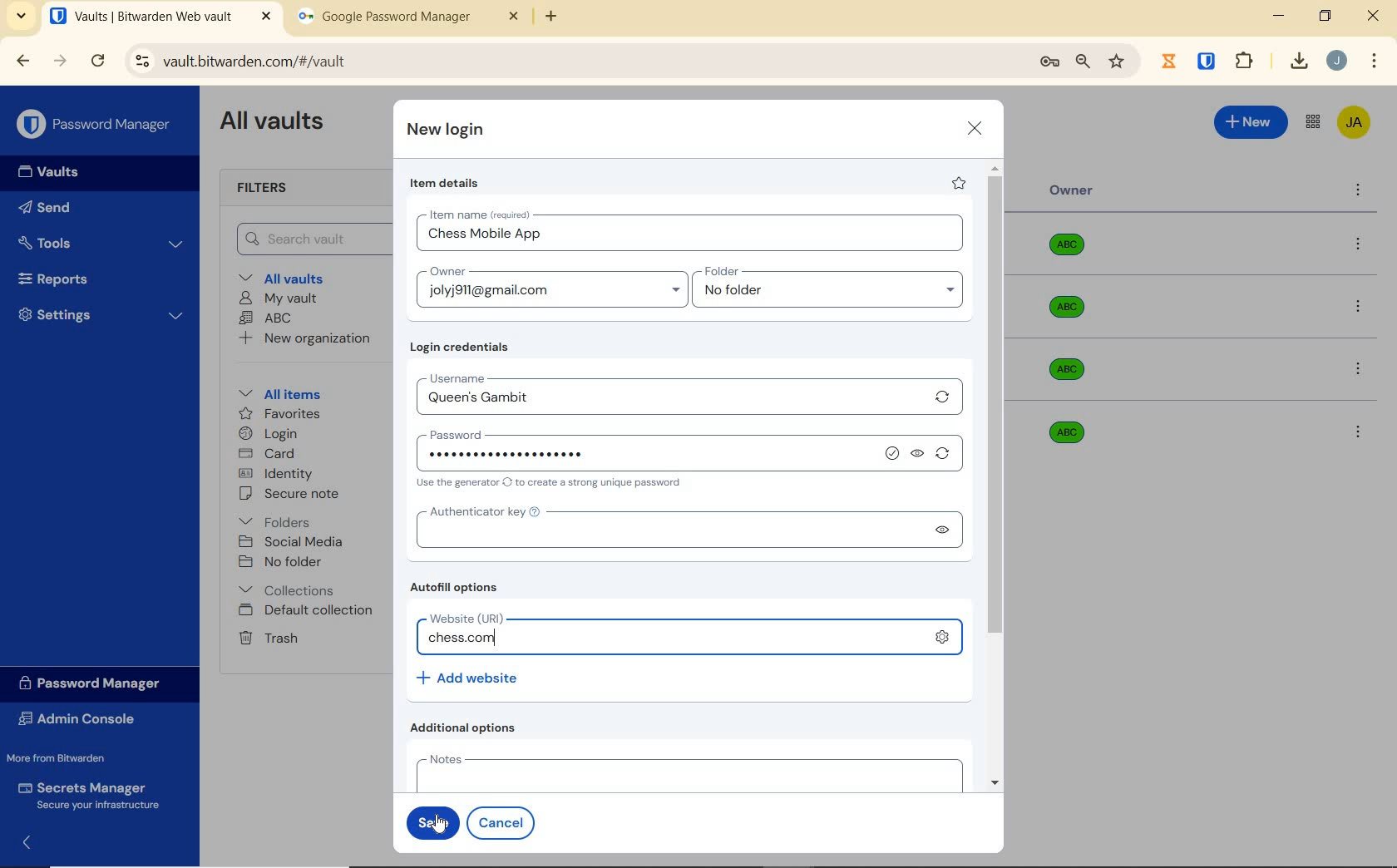  Describe the element at coordinates (894, 454) in the screenshot. I see `good` at that location.